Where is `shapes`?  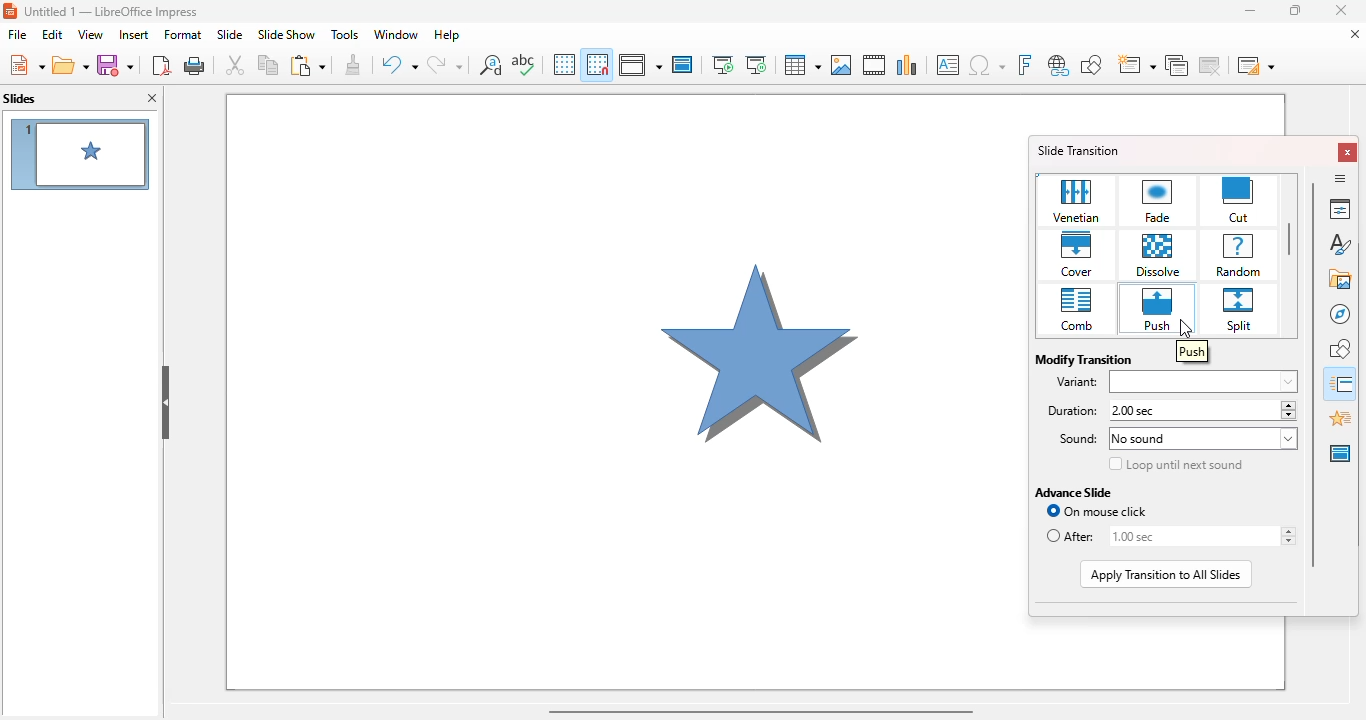 shapes is located at coordinates (1342, 348).